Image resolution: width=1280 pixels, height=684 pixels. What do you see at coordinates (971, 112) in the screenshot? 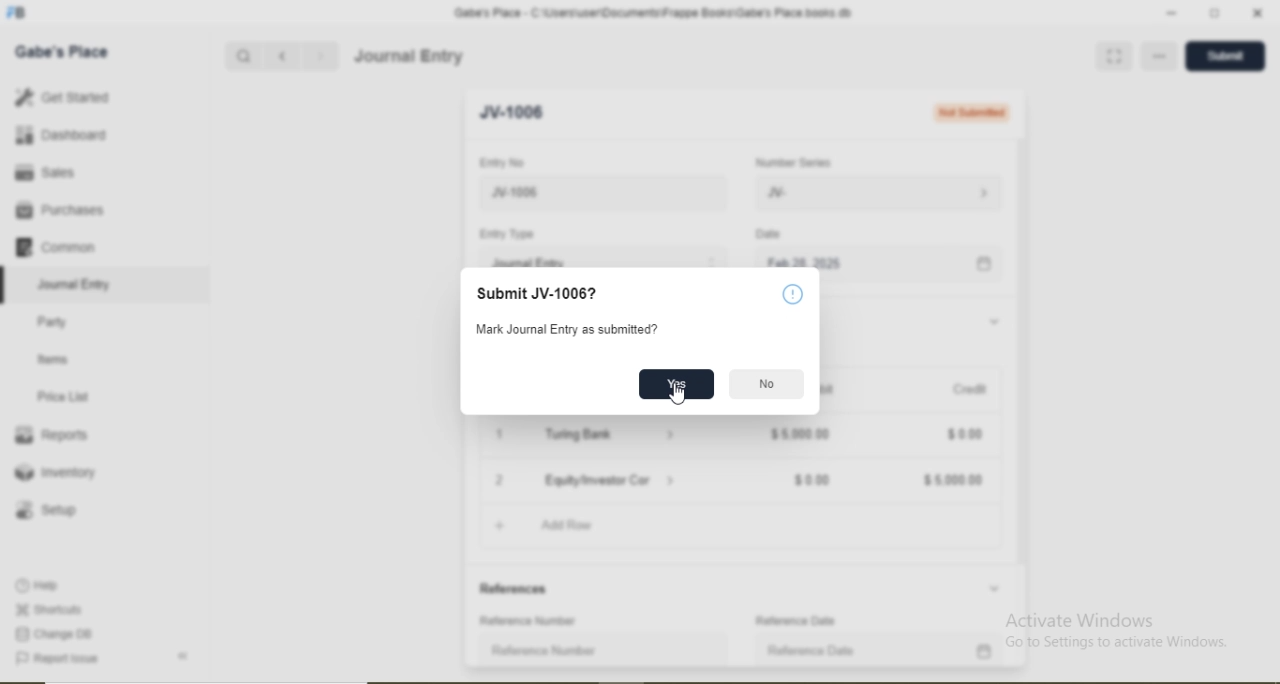
I see `Not Submitted` at bounding box center [971, 112].